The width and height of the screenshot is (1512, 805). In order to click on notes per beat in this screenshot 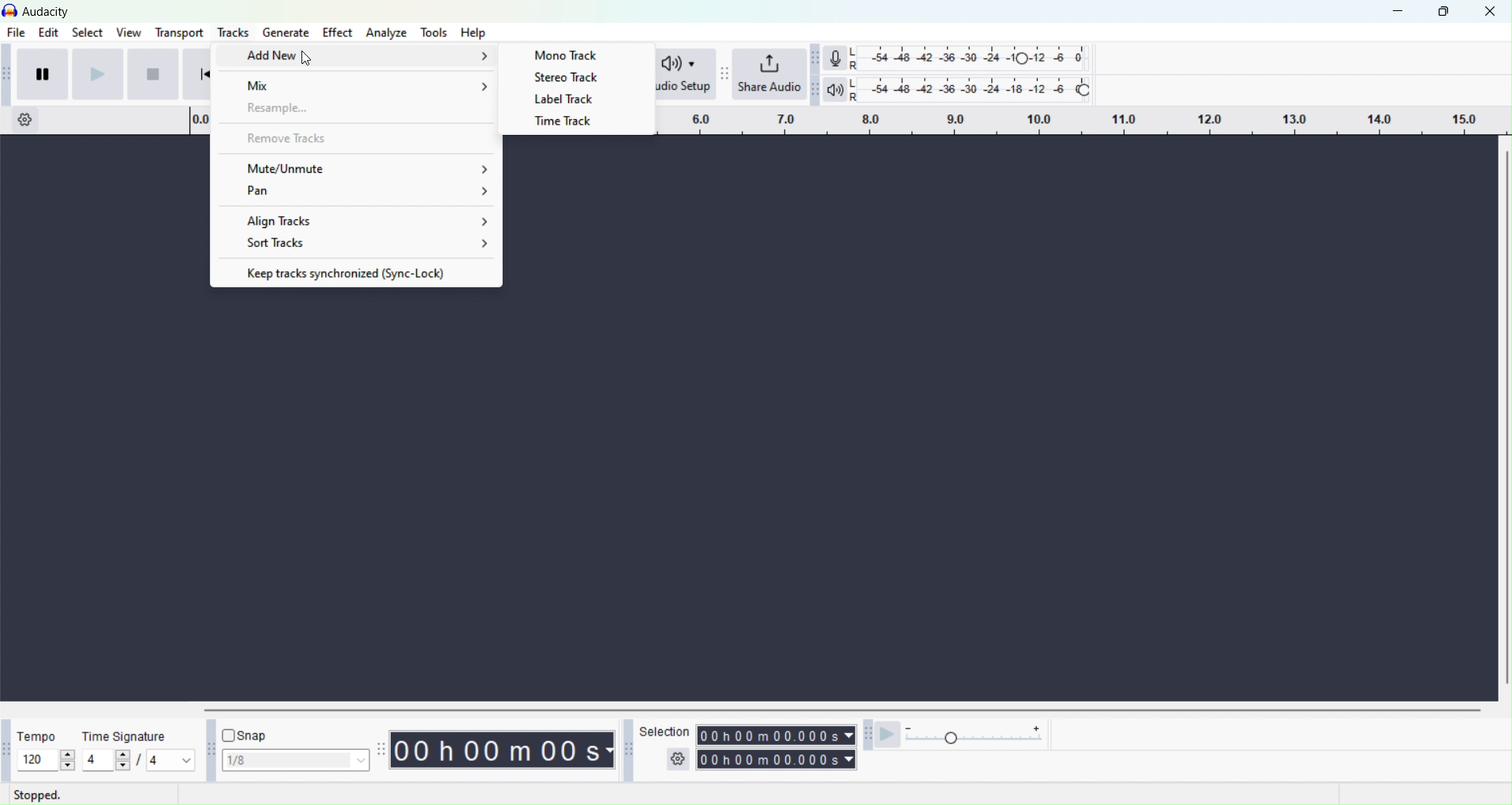, I will do `click(171, 759)`.